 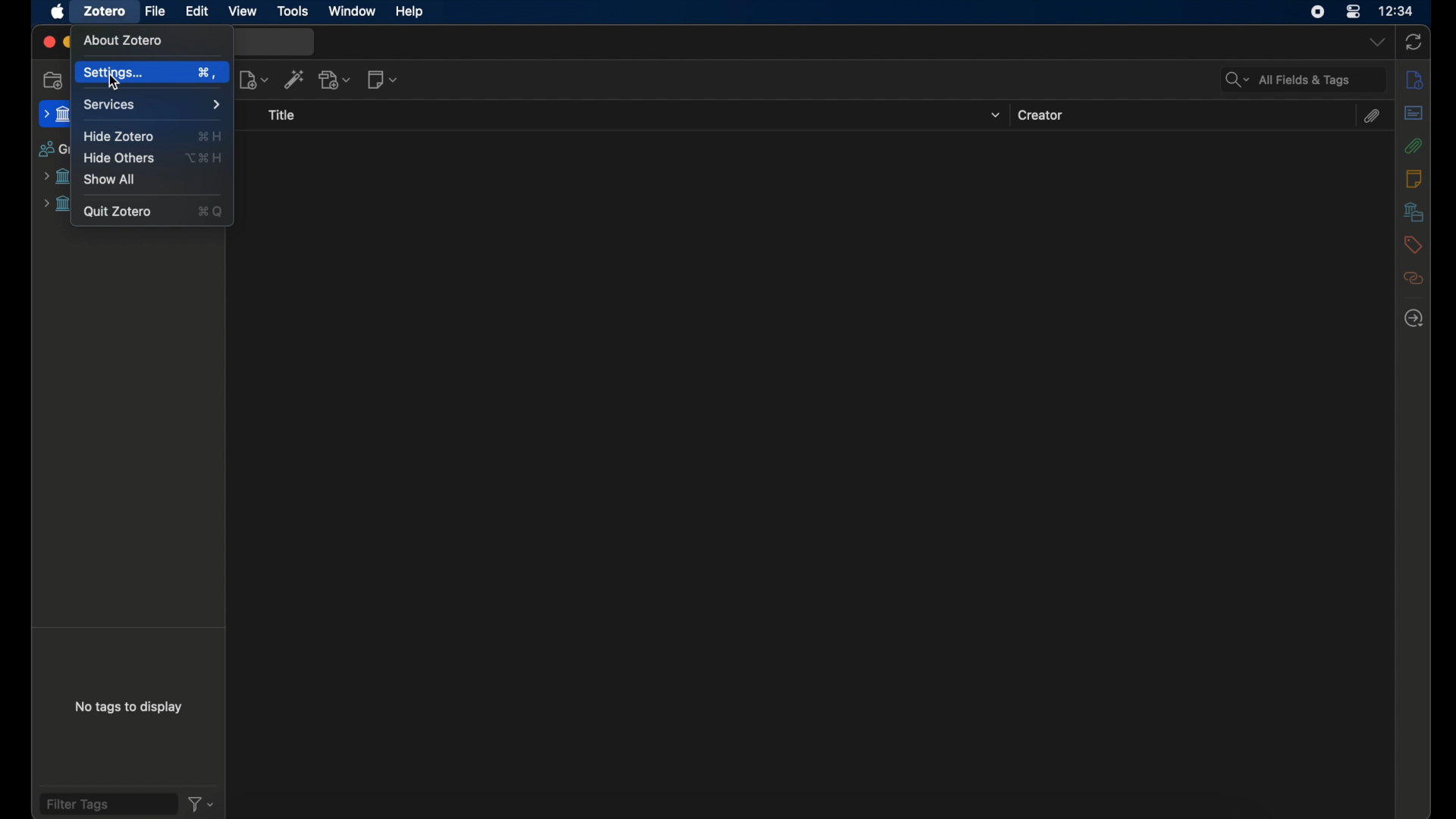 I want to click on add attachment, so click(x=336, y=80).